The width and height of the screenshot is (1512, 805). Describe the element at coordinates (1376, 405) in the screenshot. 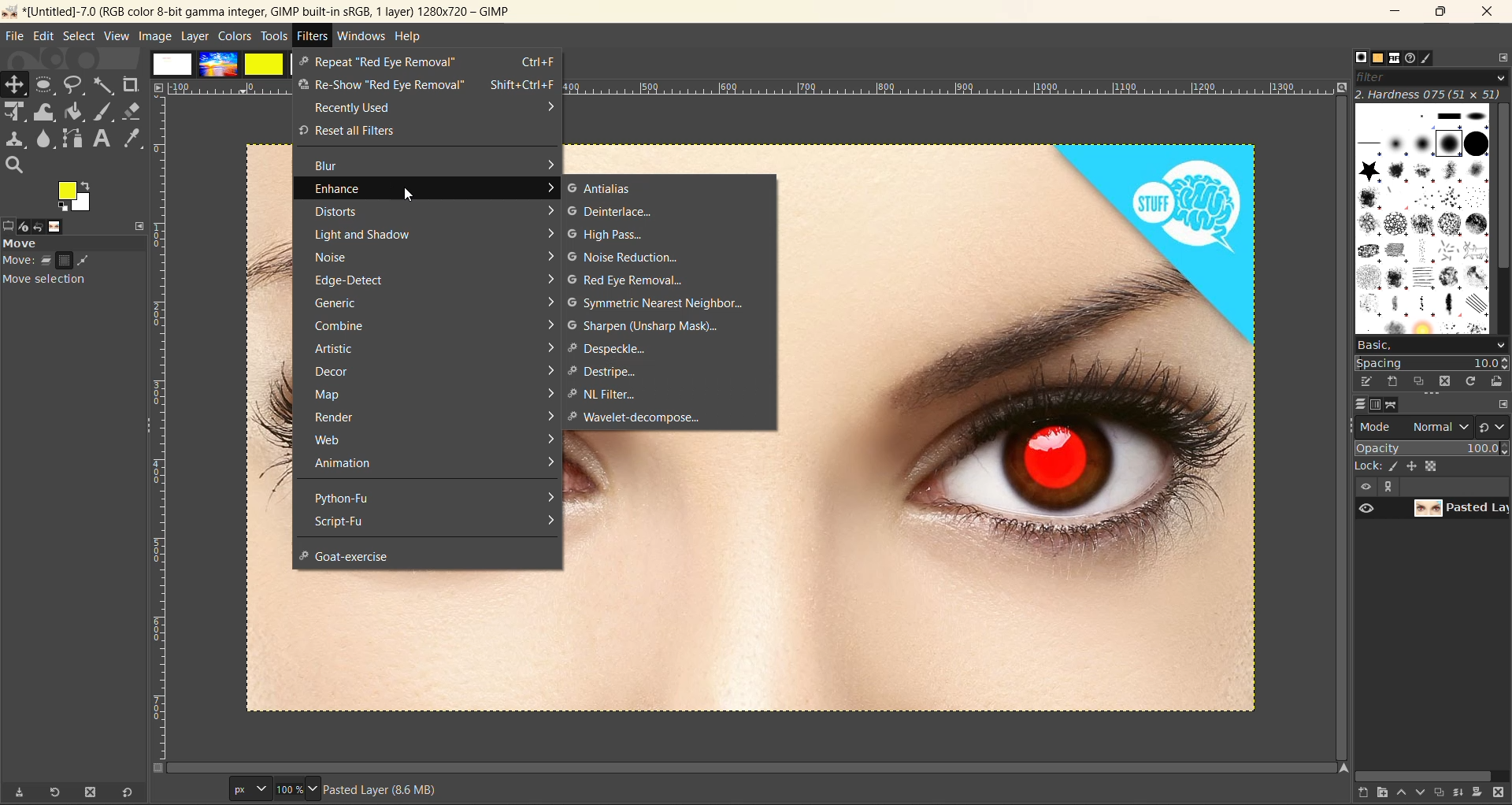

I see `channel` at that location.